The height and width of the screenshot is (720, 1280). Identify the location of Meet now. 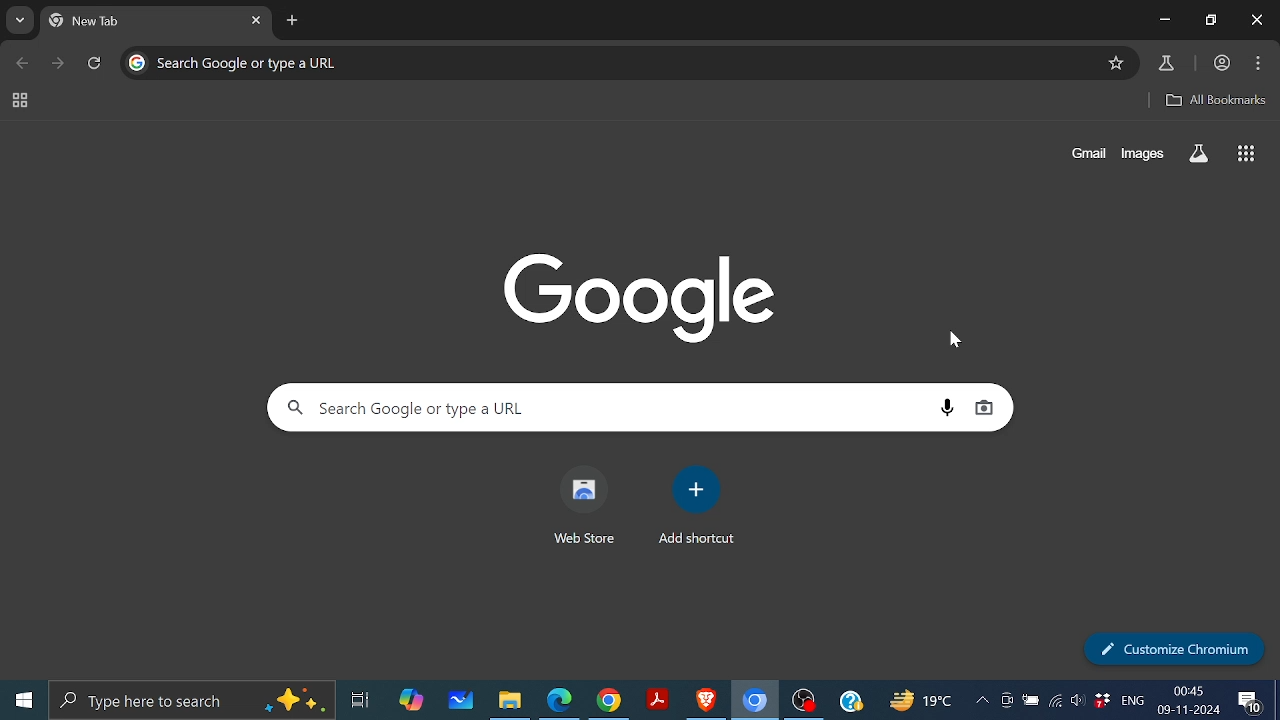
(1005, 701).